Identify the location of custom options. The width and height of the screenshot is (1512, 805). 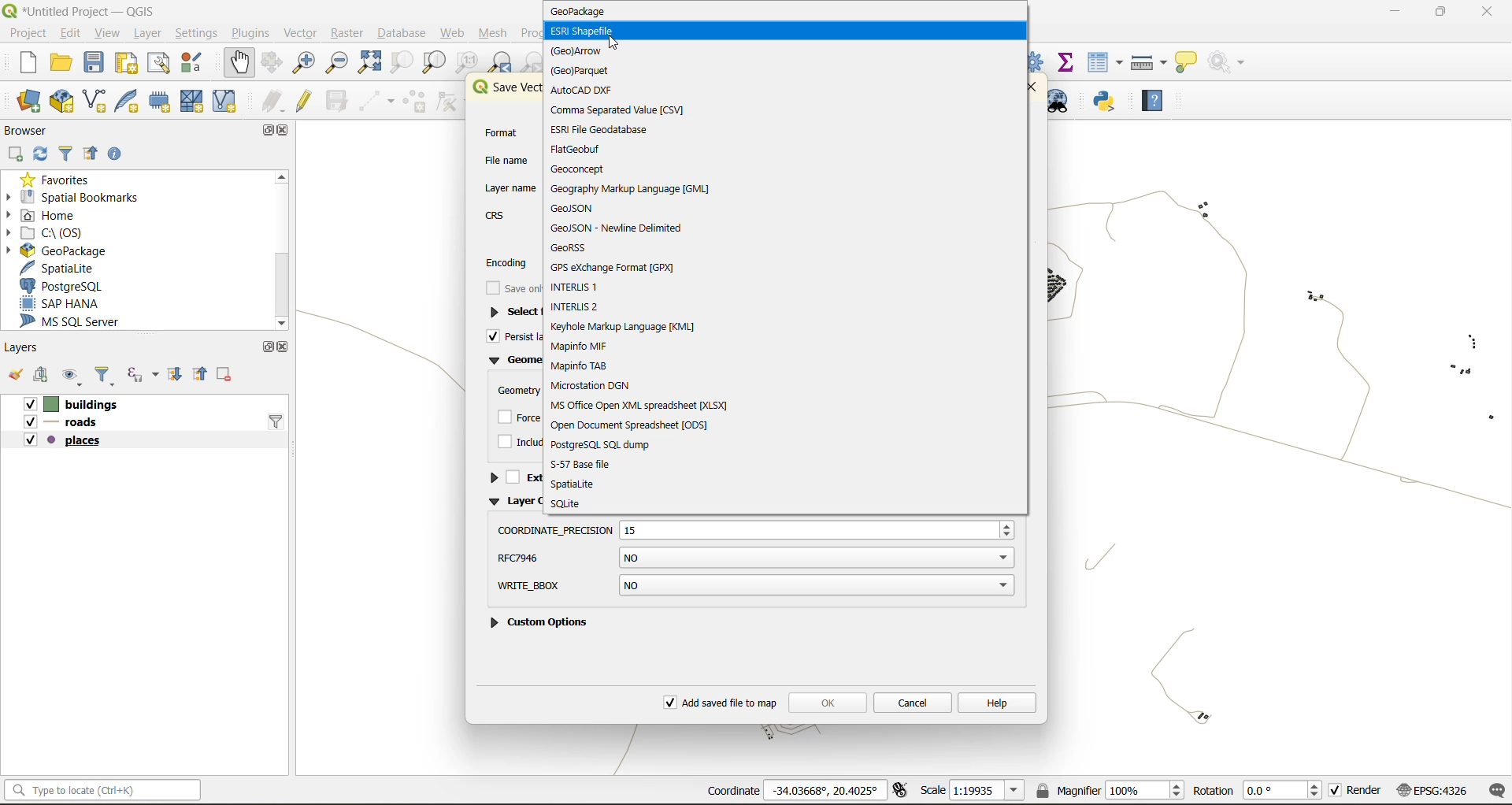
(542, 623).